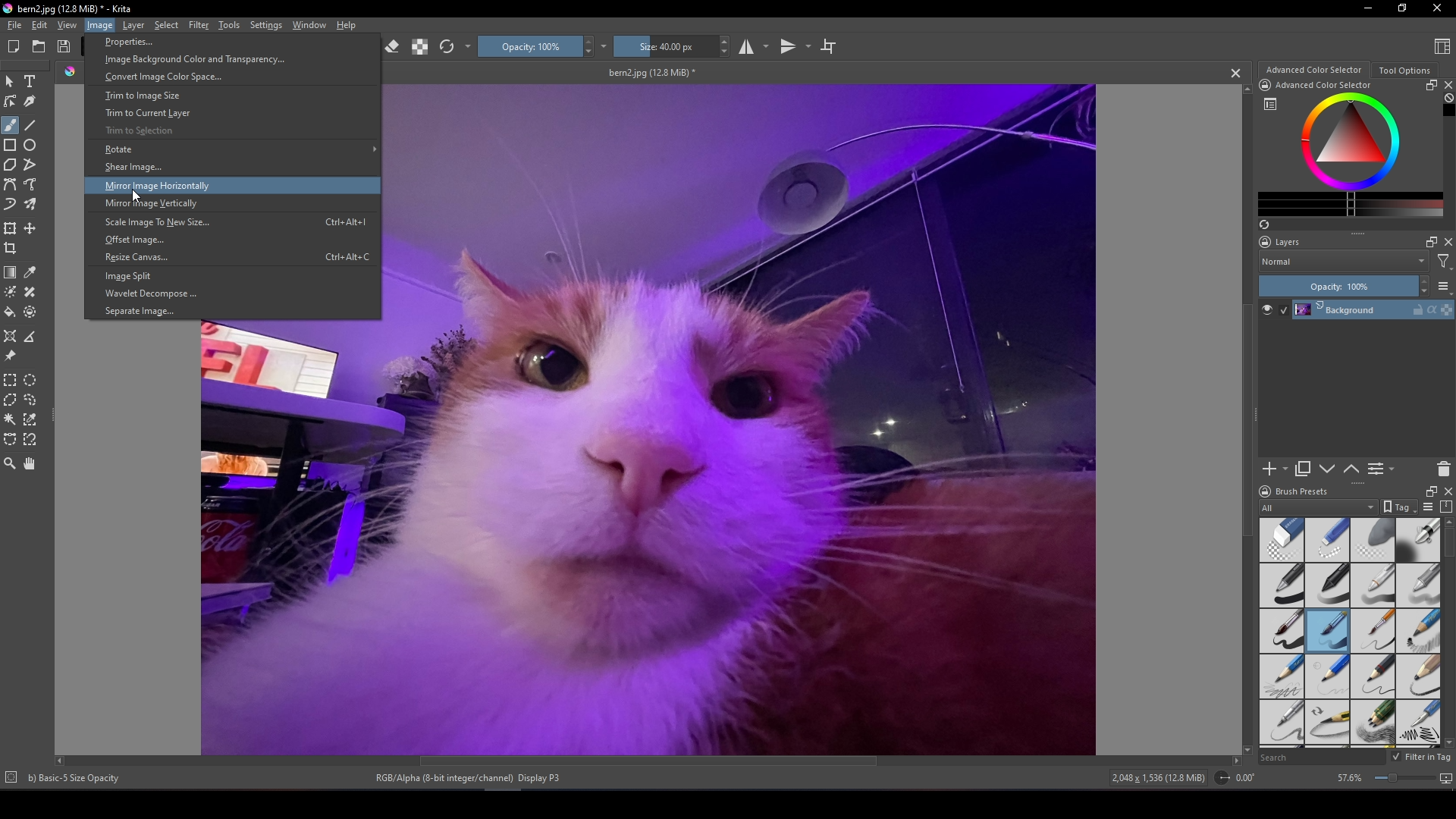 This screenshot has height=819, width=1456. Describe the element at coordinates (167, 25) in the screenshot. I see `Select` at that location.